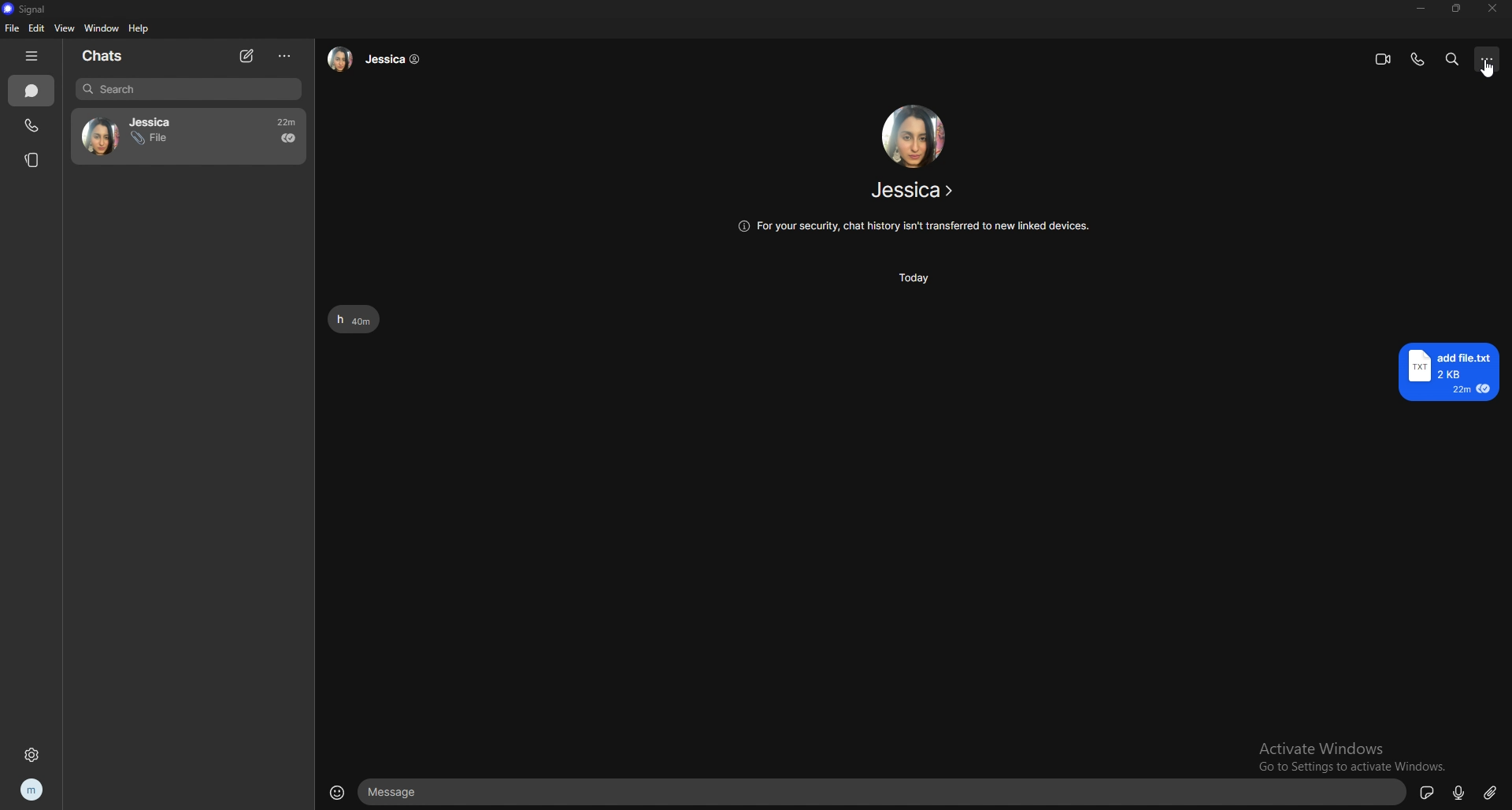 The height and width of the screenshot is (810, 1512). I want to click on Today, so click(913, 278).